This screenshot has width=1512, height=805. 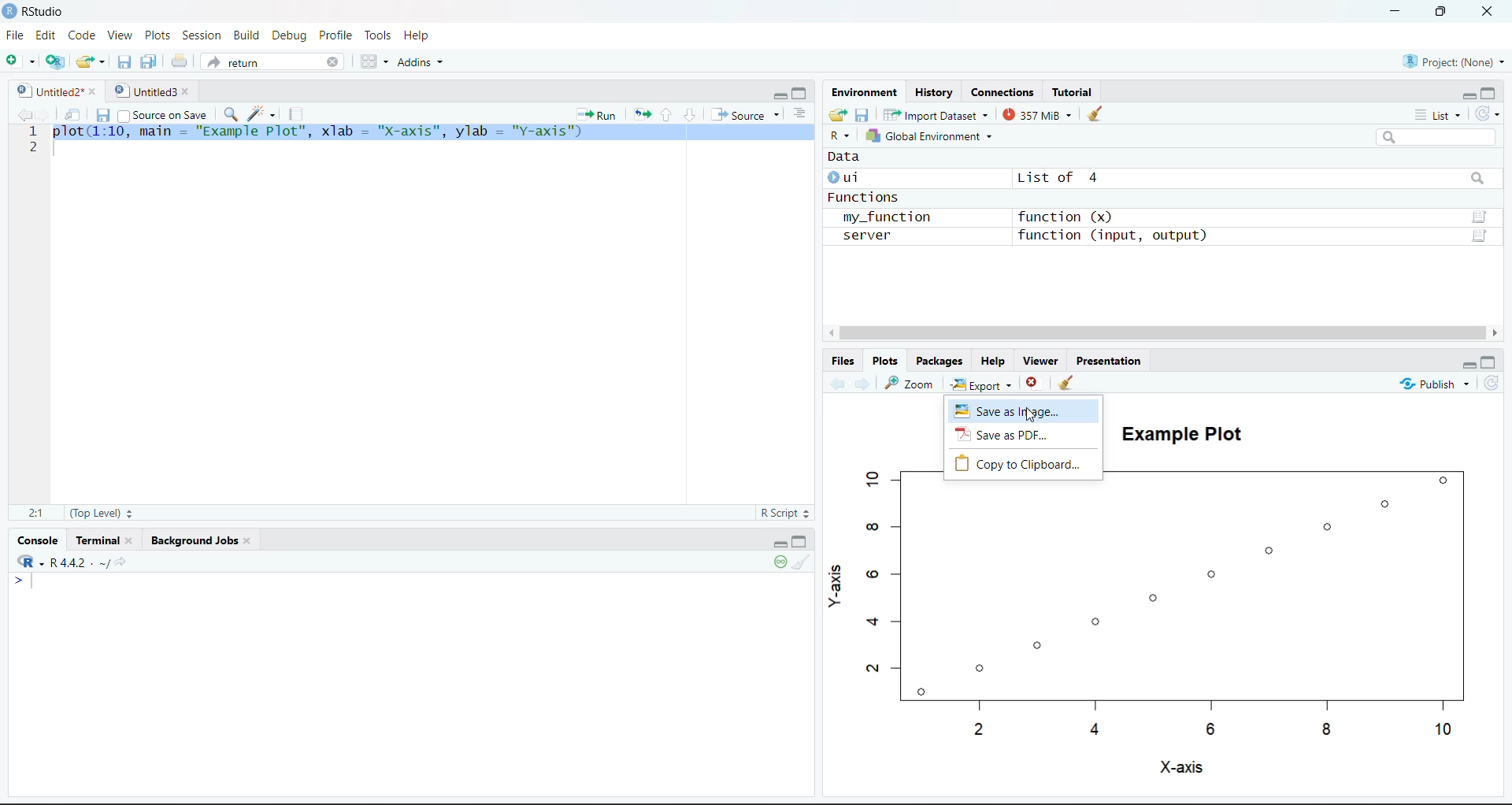 I want to click on Close, so click(x=1490, y=13).